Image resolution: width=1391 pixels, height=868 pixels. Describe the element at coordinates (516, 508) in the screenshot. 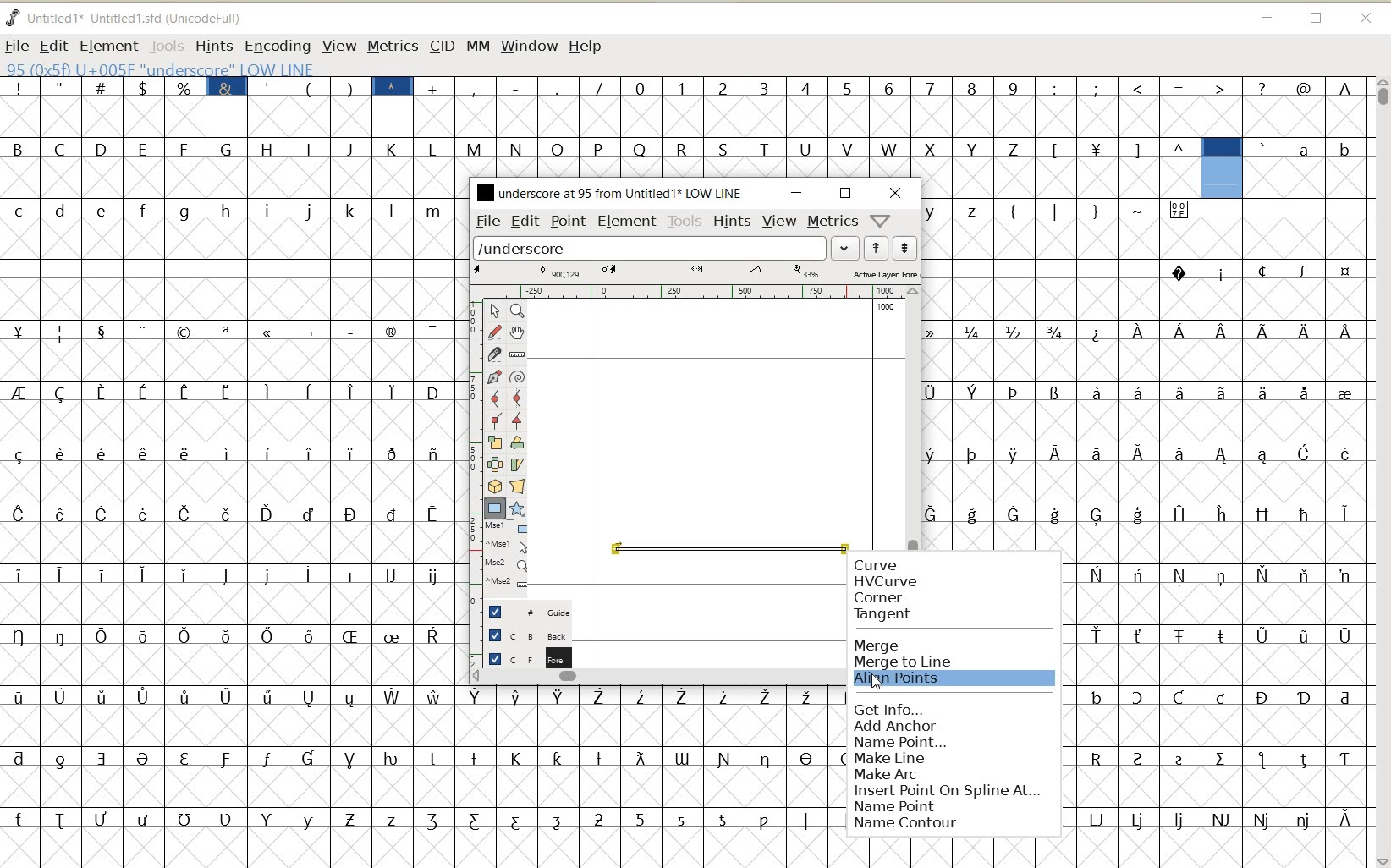

I see `polygon or star` at that location.